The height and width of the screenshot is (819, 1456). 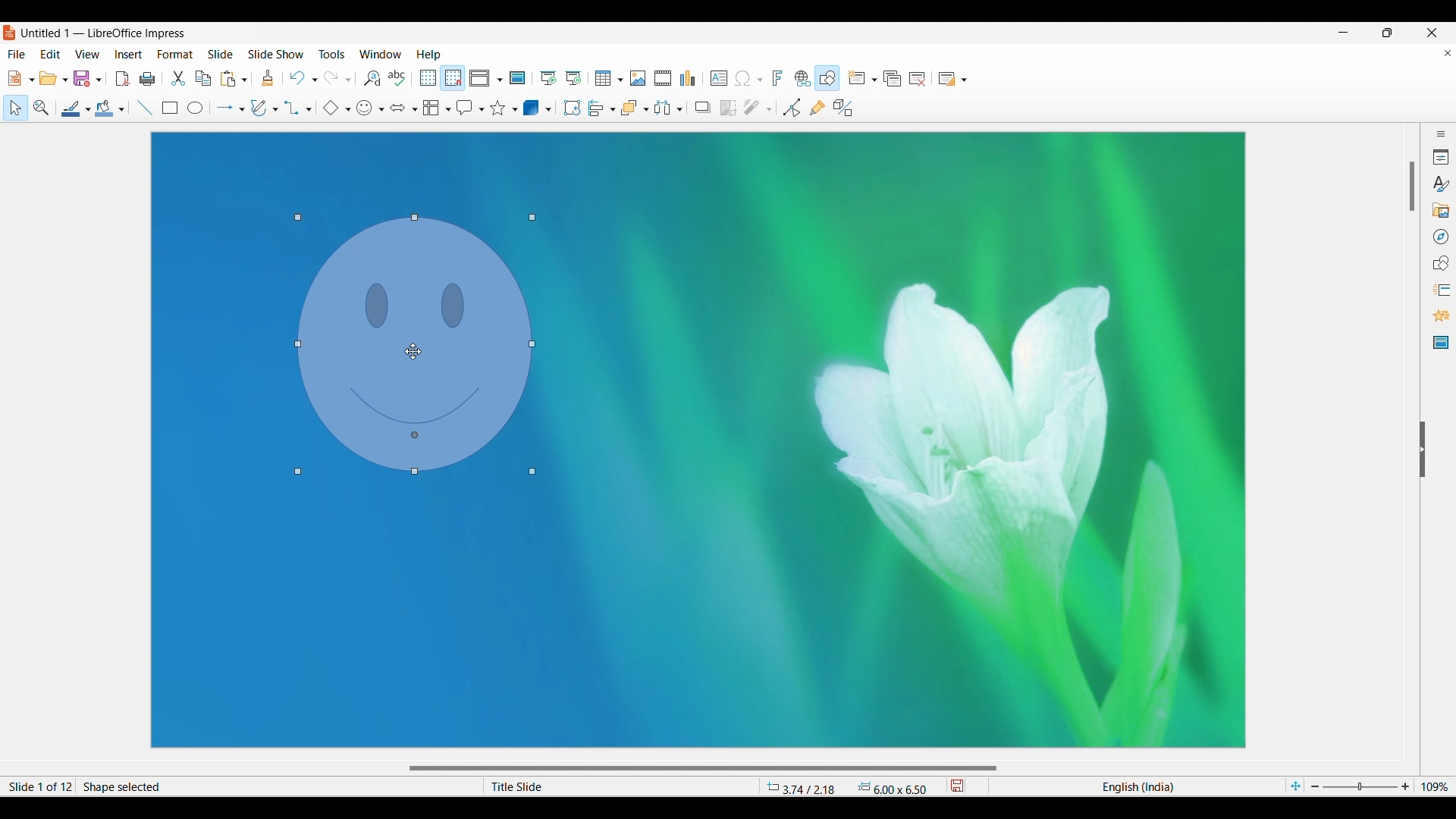 I want to click on Undo, so click(x=297, y=78).